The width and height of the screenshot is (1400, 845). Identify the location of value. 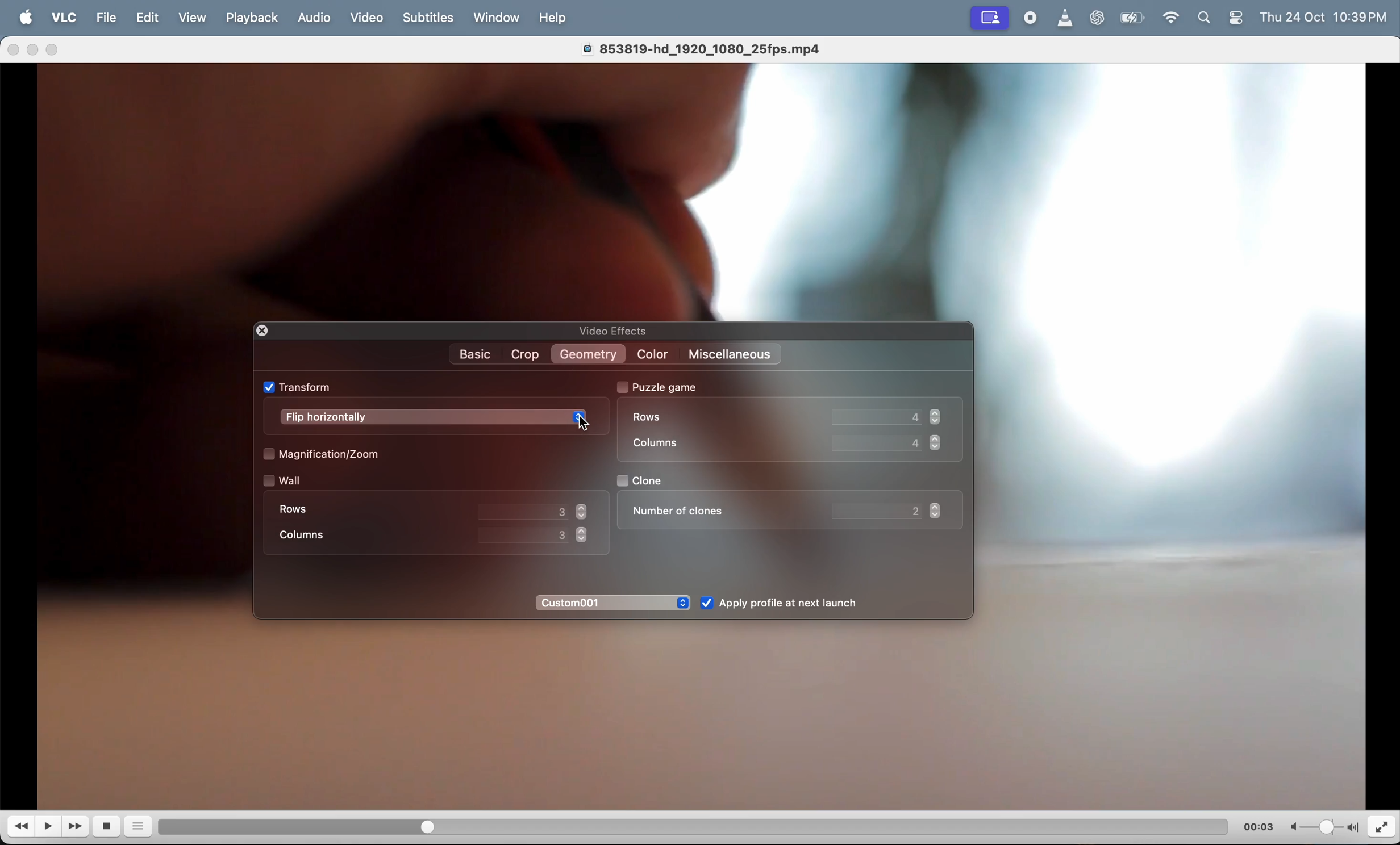
(889, 512).